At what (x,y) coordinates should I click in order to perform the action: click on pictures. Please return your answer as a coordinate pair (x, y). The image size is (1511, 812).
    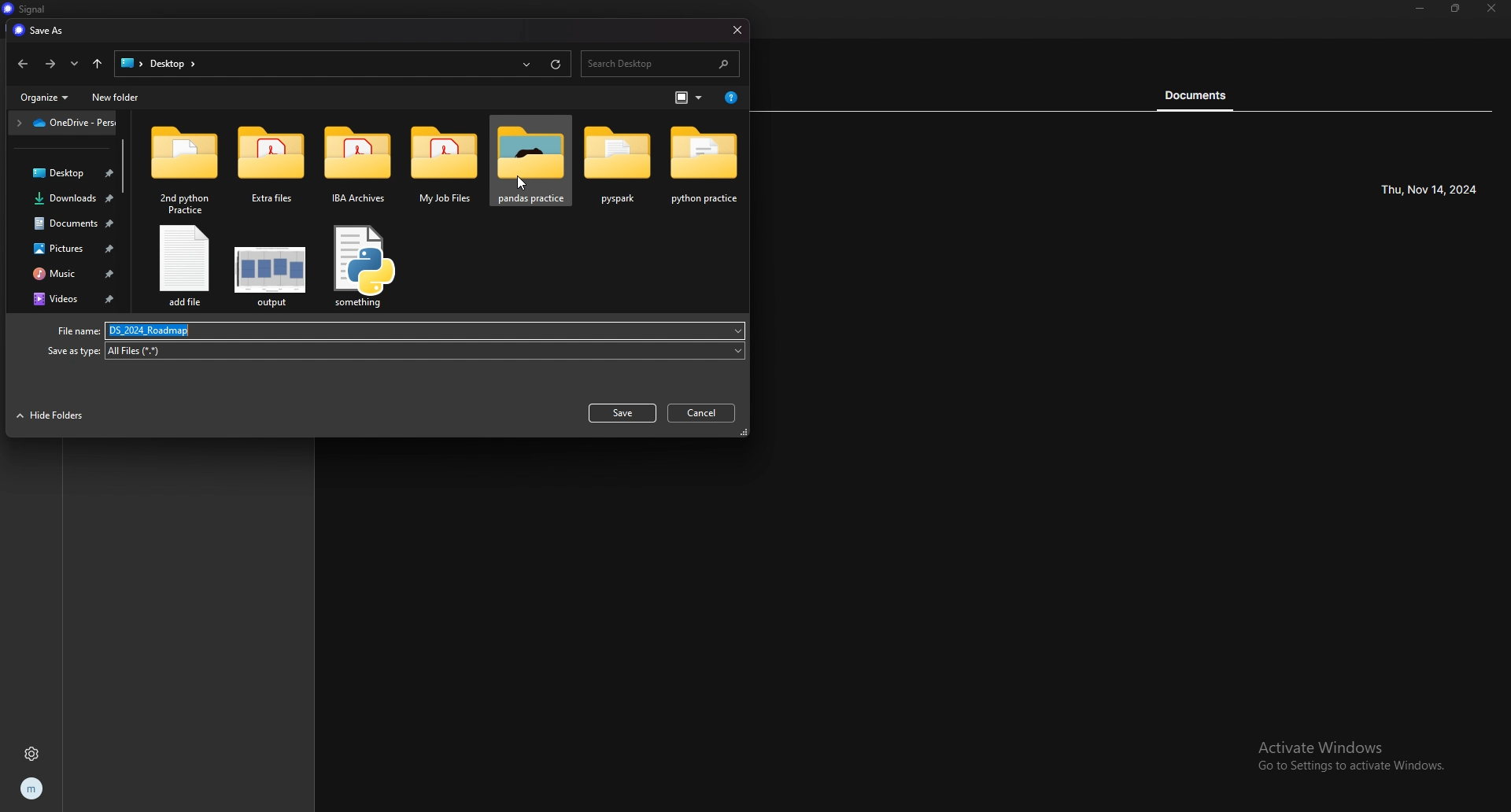
    Looking at the image, I should click on (70, 248).